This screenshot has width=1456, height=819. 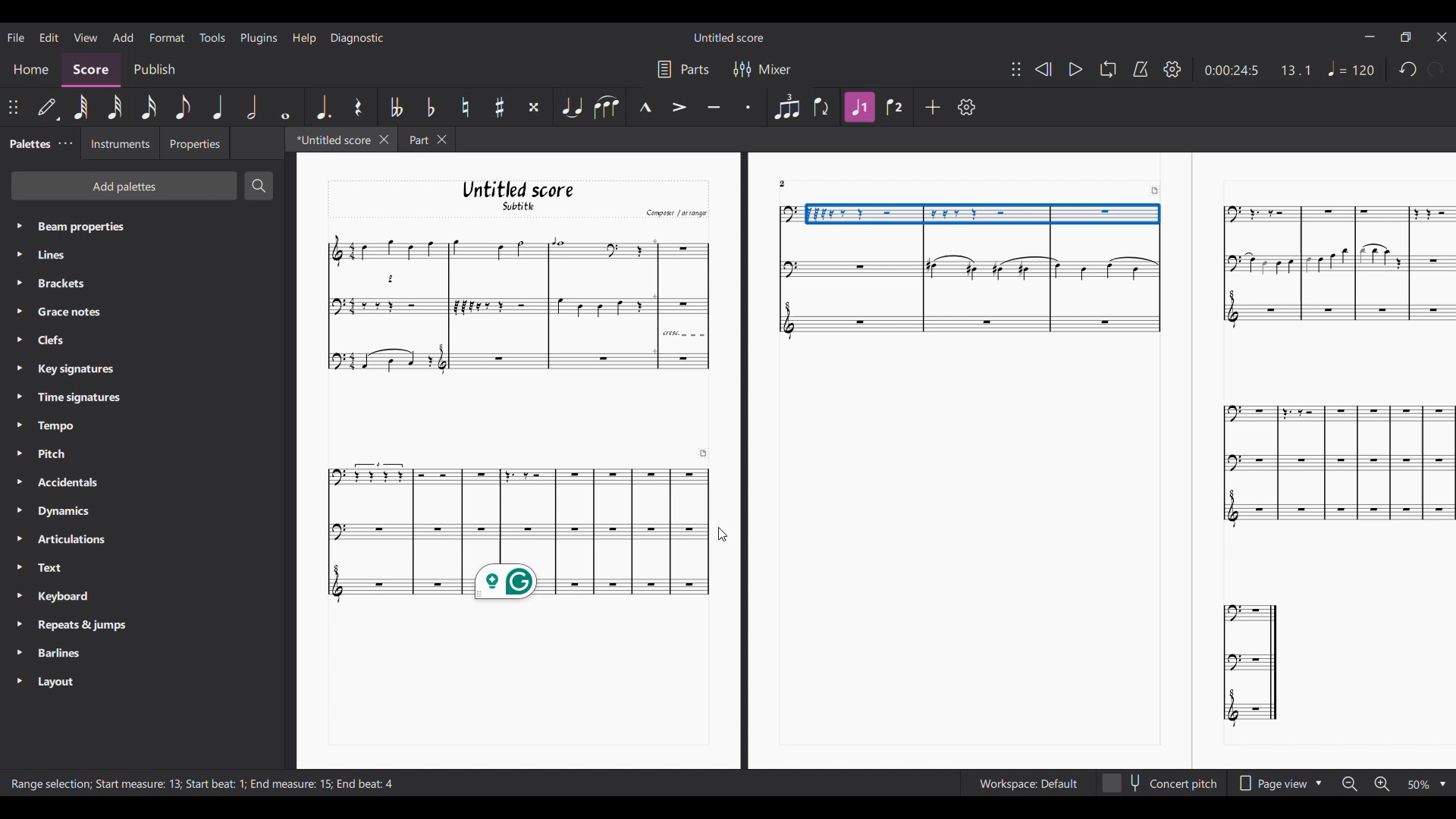 What do you see at coordinates (207, 784) in the screenshot?
I see `Range selection; Start measure: 13, Start beat: 1; End measure; End beat:4` at bounding box center [207, 784].